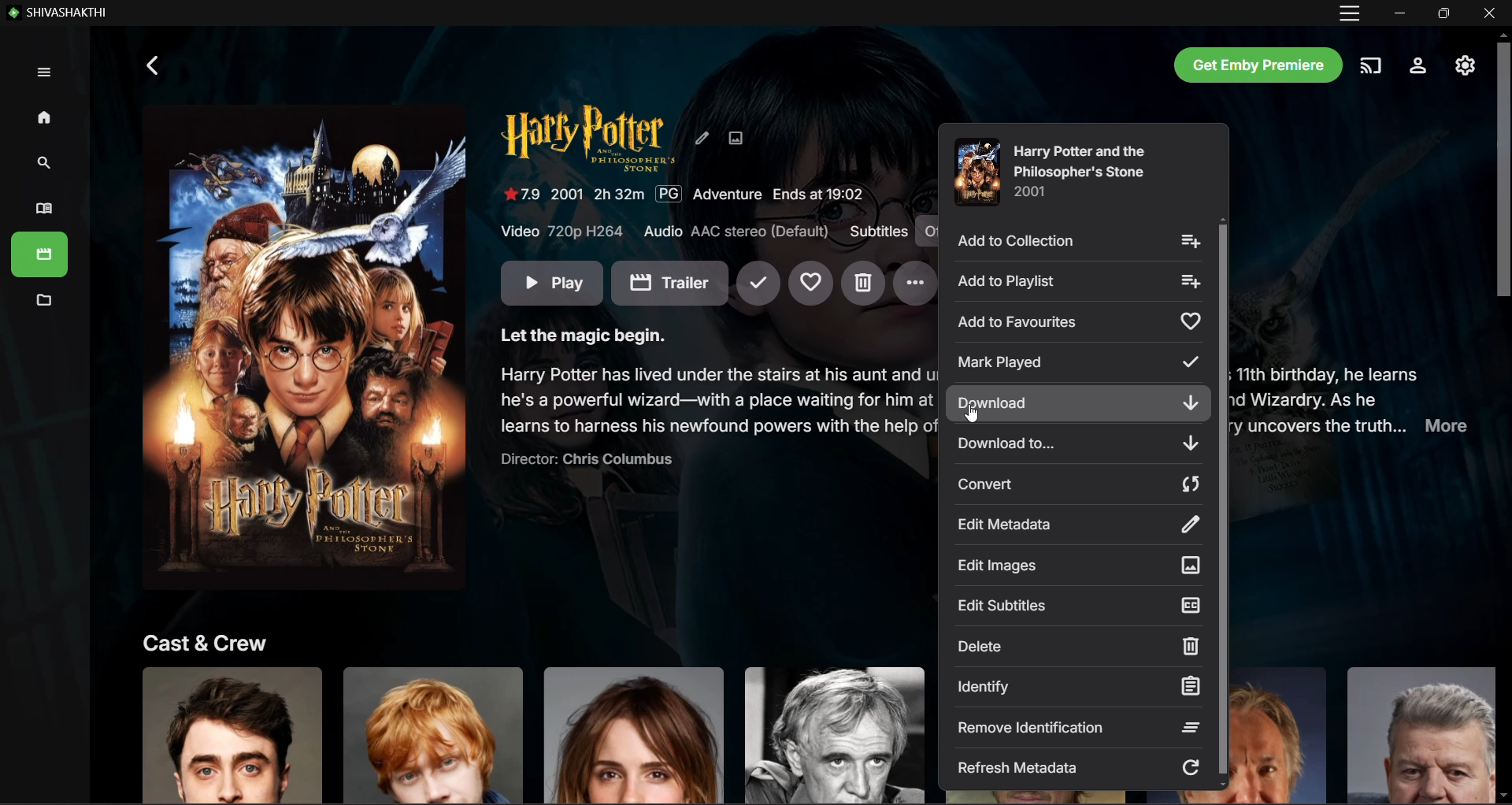 The height and width of the screenshot is (805, 1512). Describe the element at coordinates (206, 642) in the screenshot. I see `Cast and Crew` at that location.